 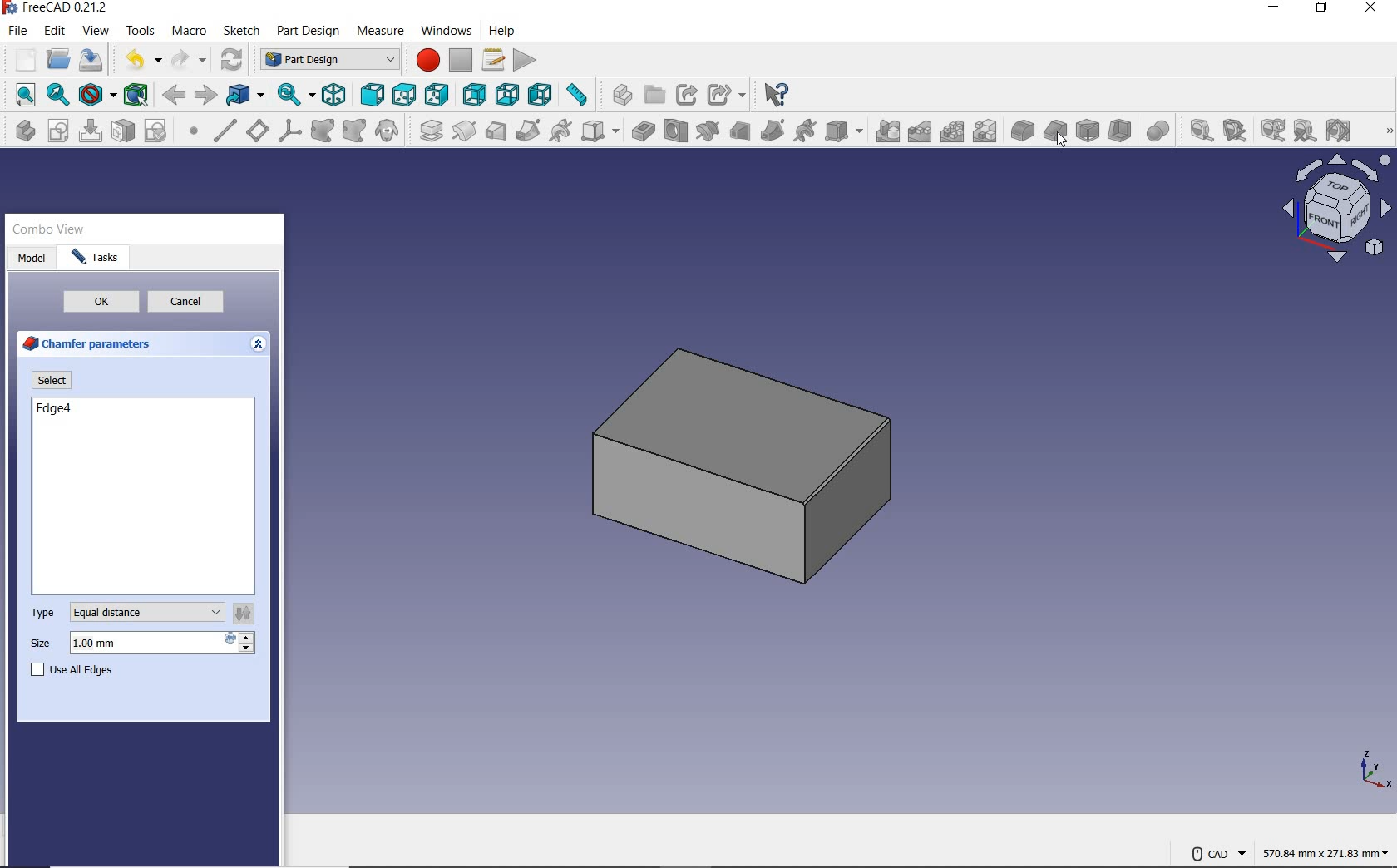 I want to click on help, so click(x=501, y=32).